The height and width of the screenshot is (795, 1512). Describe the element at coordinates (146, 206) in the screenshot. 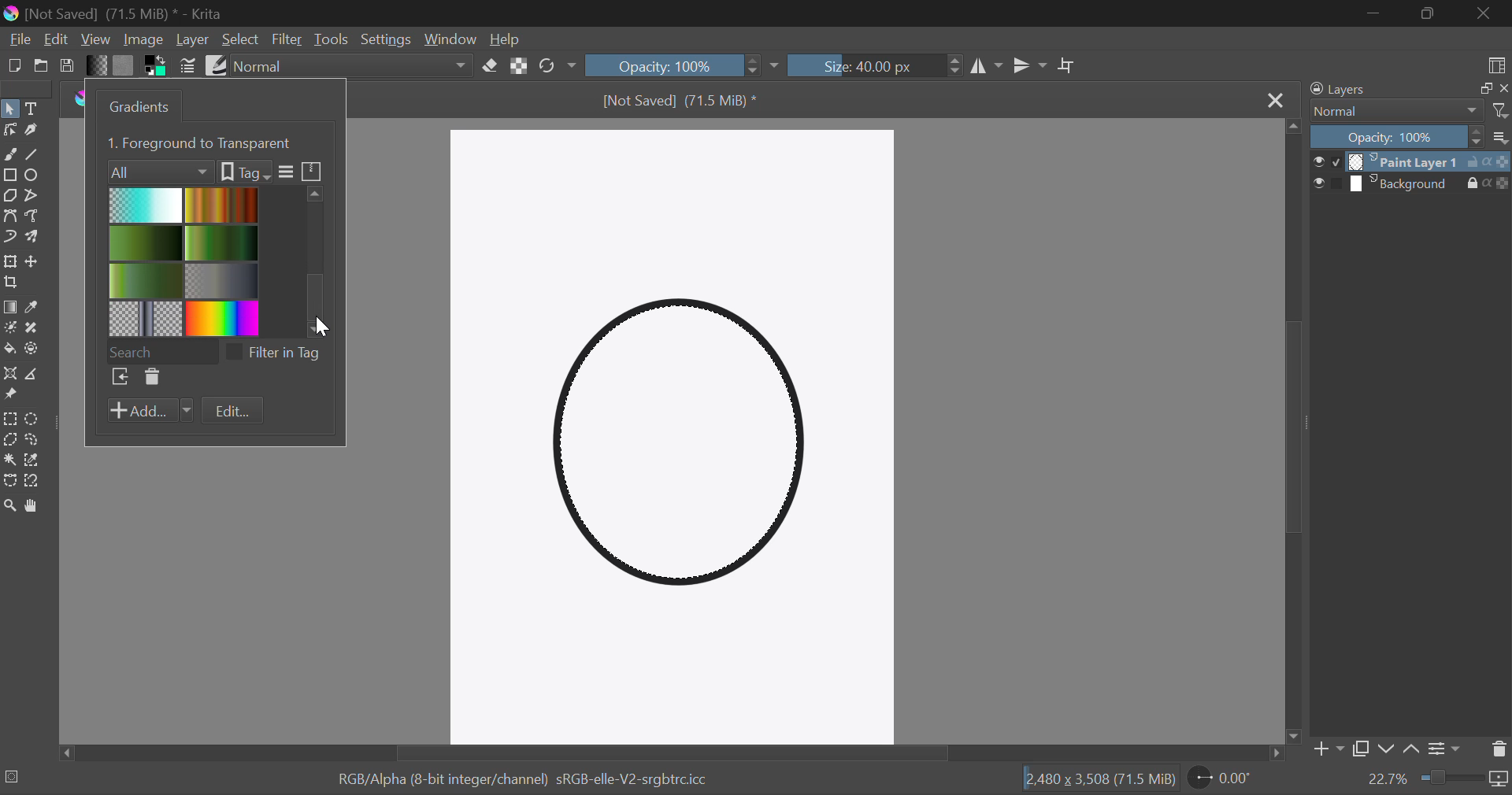

I see `Blue Gradient` at that location.